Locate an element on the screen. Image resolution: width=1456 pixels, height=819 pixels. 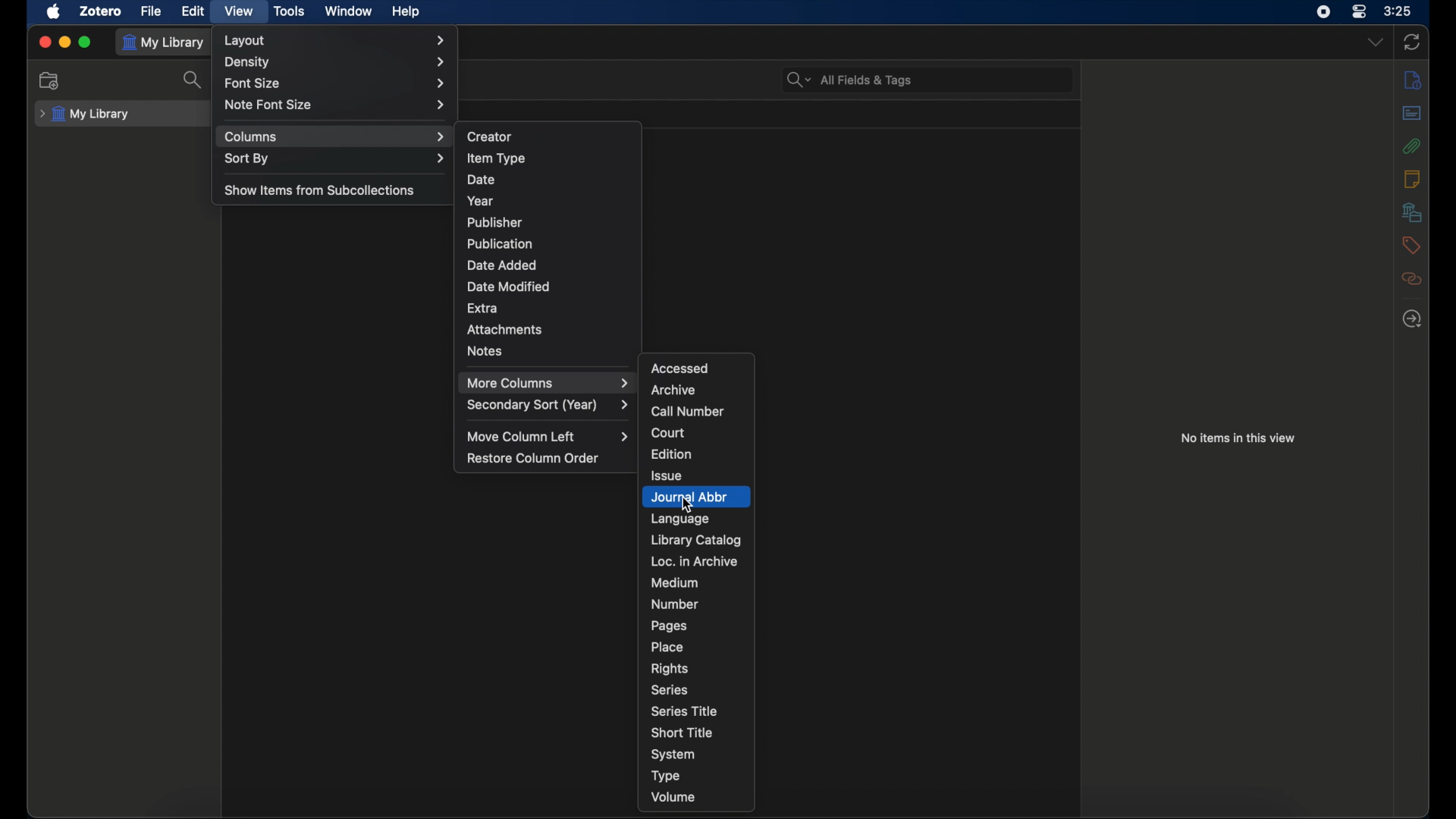
language is located at coordinates (679, 519).